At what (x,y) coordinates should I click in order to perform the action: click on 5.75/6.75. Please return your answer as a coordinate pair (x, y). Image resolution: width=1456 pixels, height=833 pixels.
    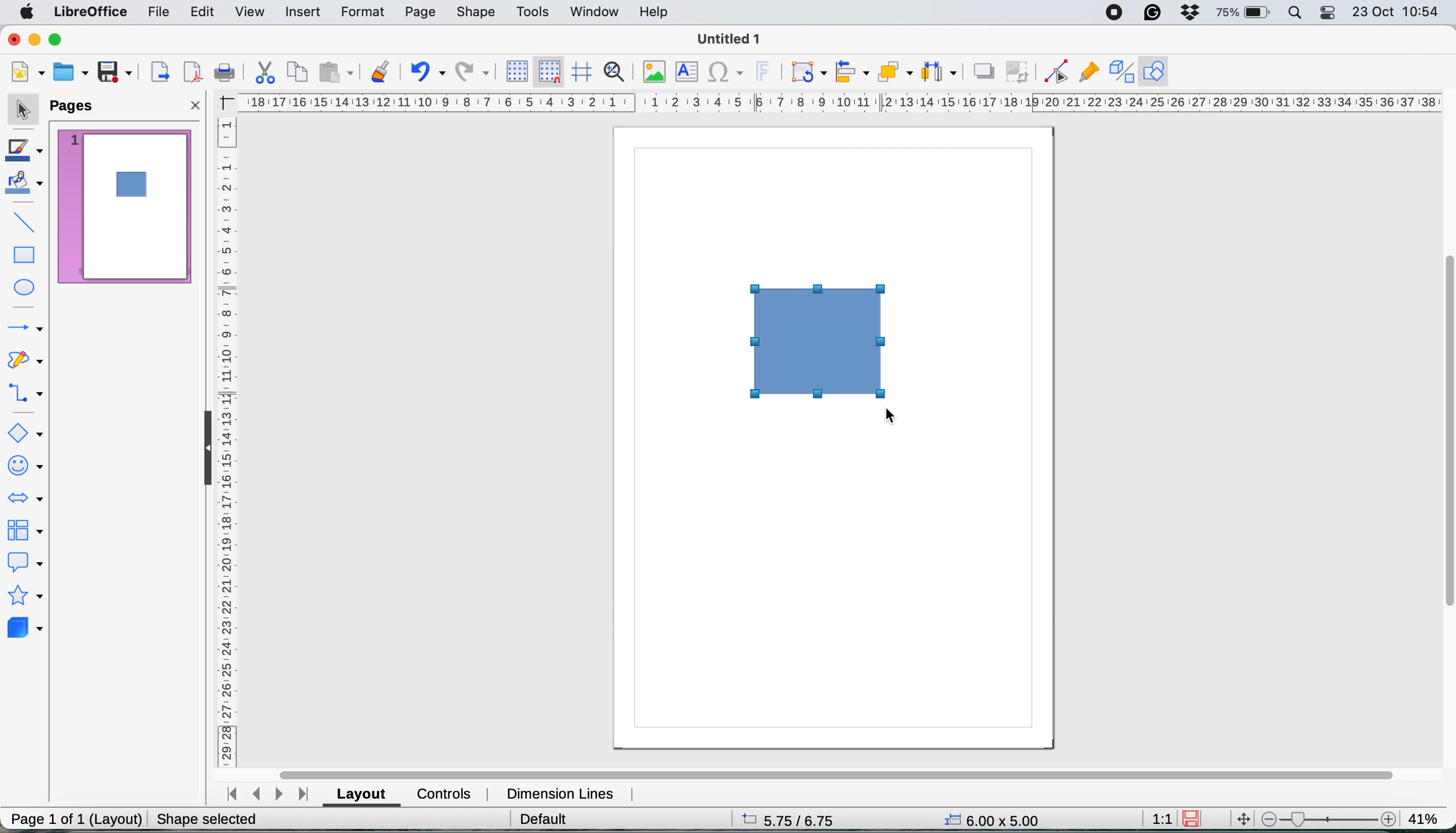
    Looking at the image, I should click on (777, 819).